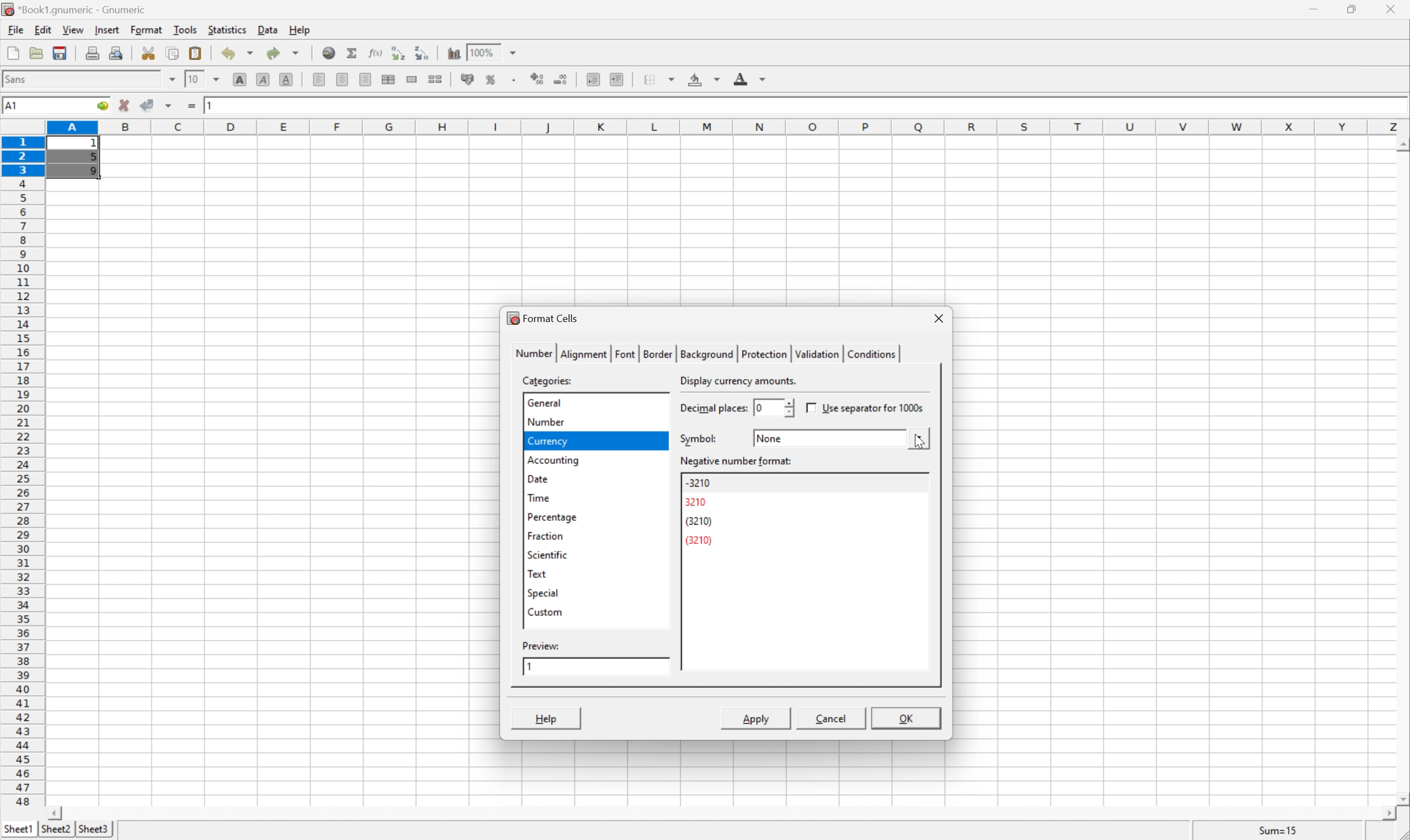  I want to click on 10, so click(193, 78).